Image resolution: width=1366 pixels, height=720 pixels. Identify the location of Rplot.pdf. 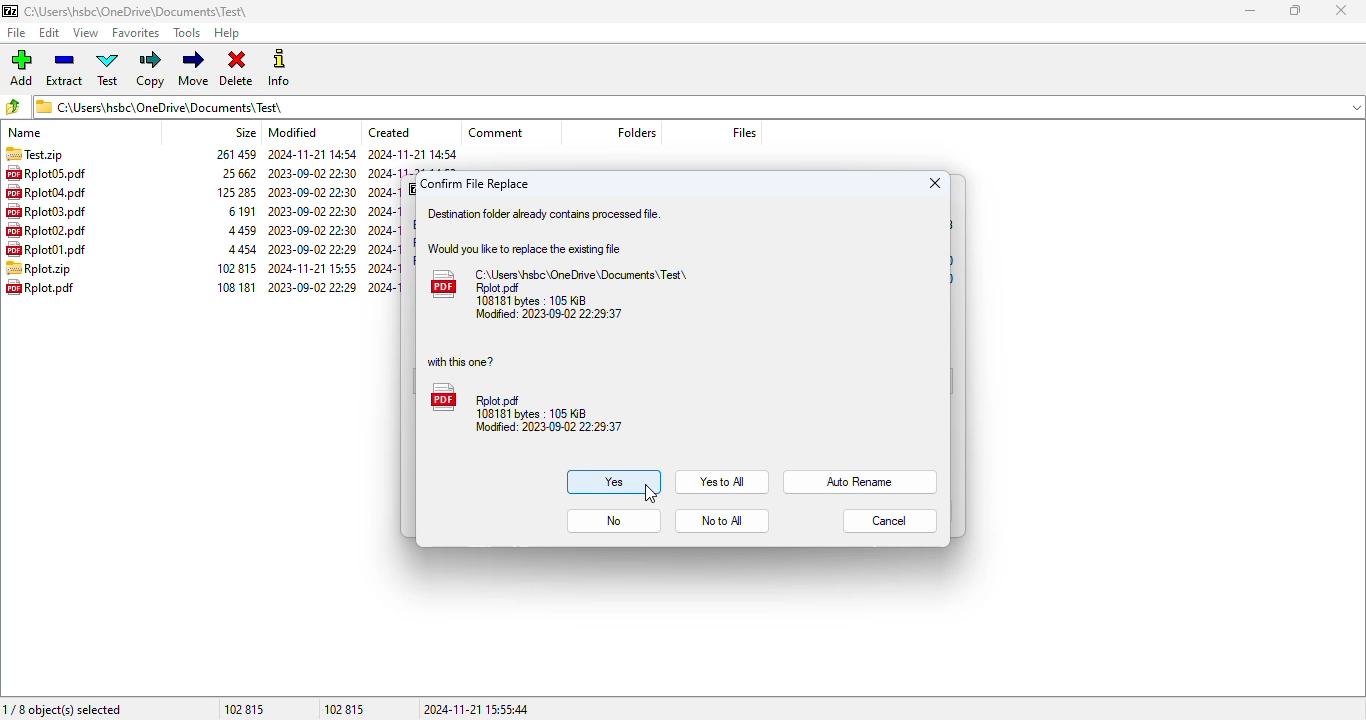
(527, 408).